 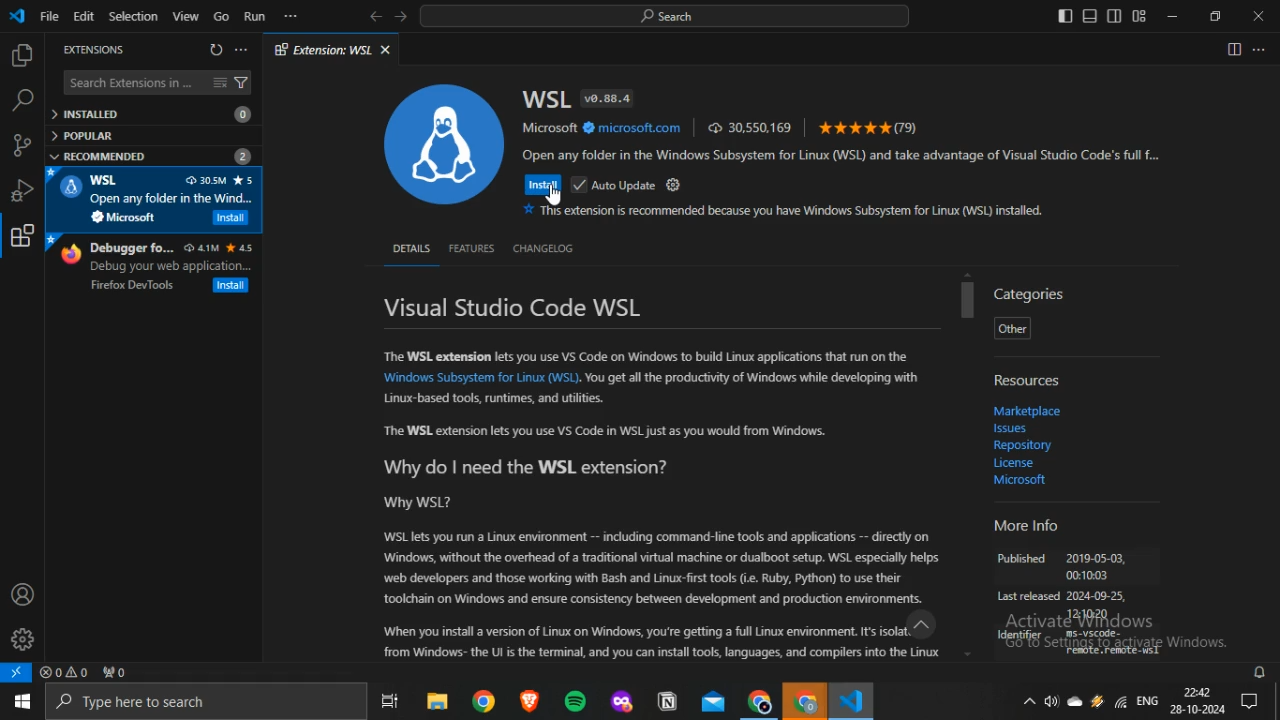 I want to click on scrollbar, so click(x=967, y=301).